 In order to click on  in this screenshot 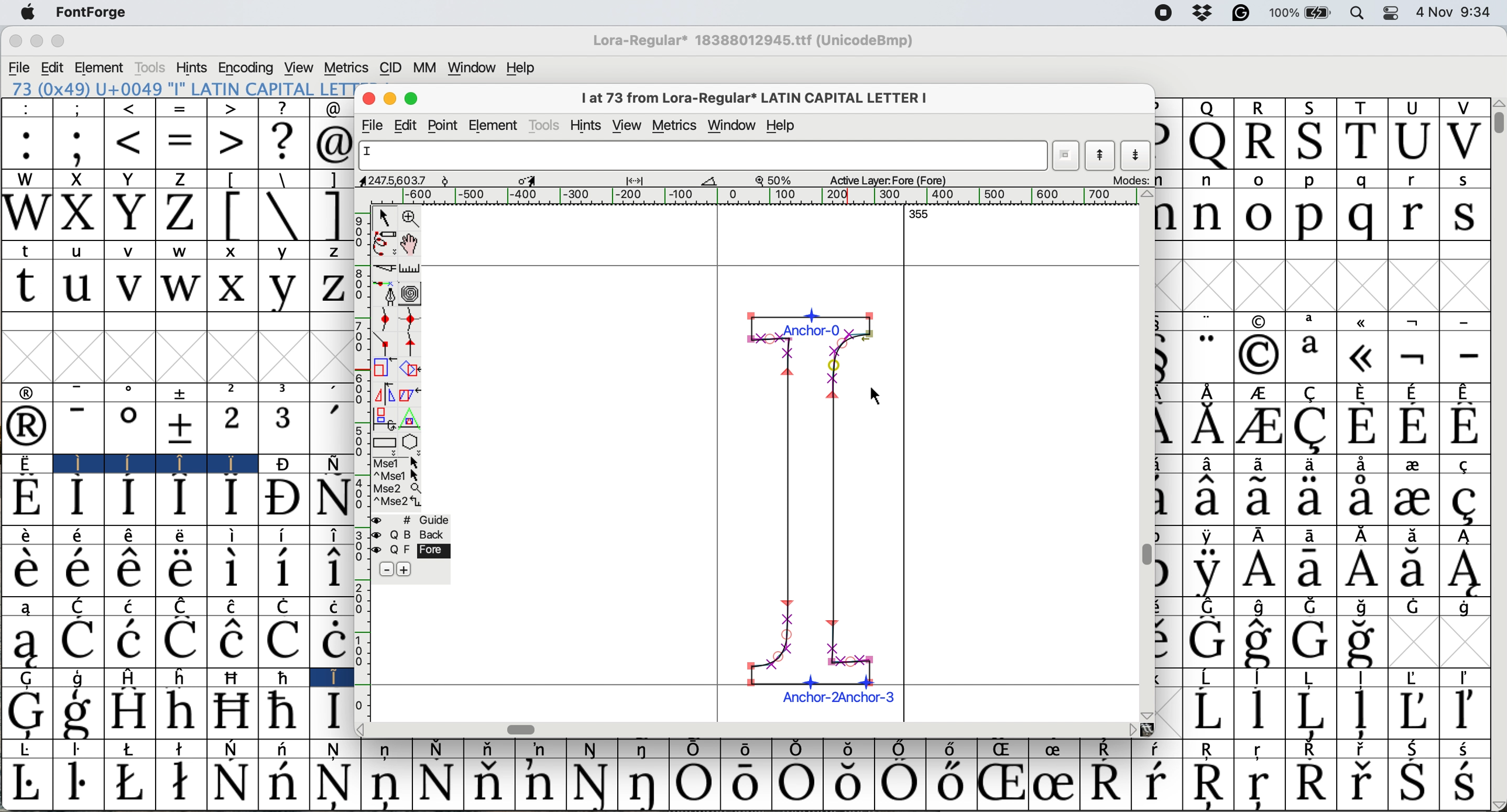, I will do `click(1150, 729)`.